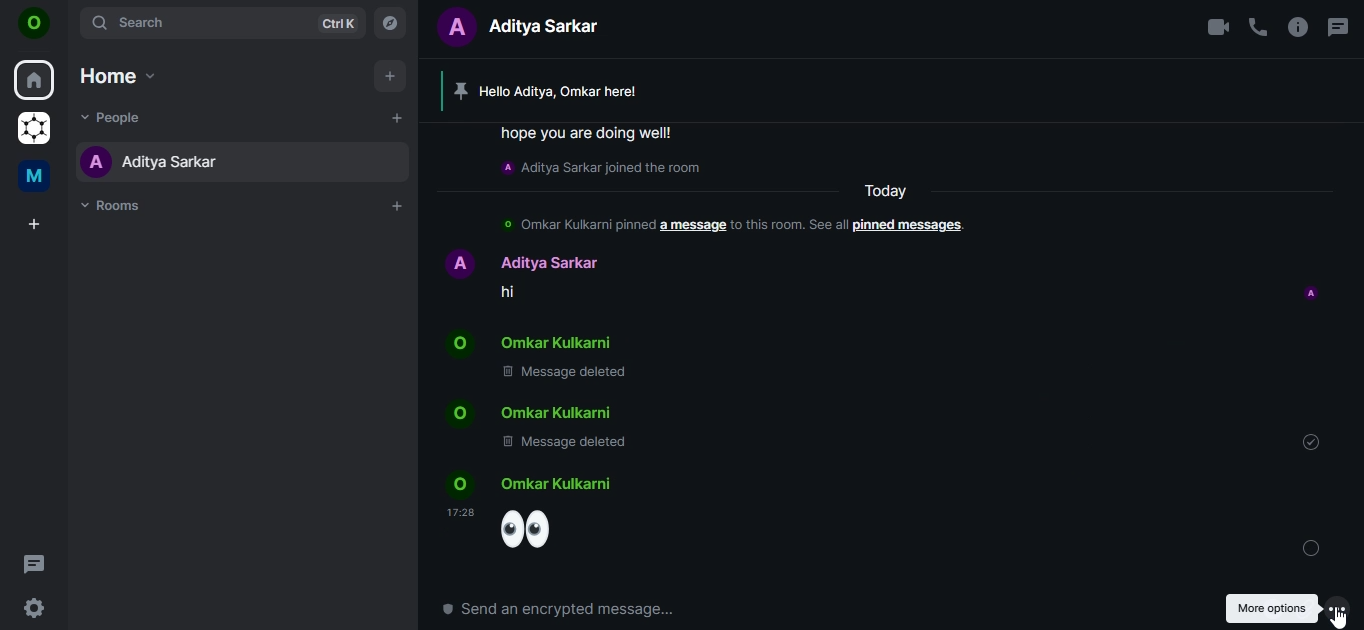 Image resolution: width=1364 pixels, height=630 pixels. What do you see at coordinates (32, 176) in the screenshot?
I see `me` at bounding box center [32, 176].